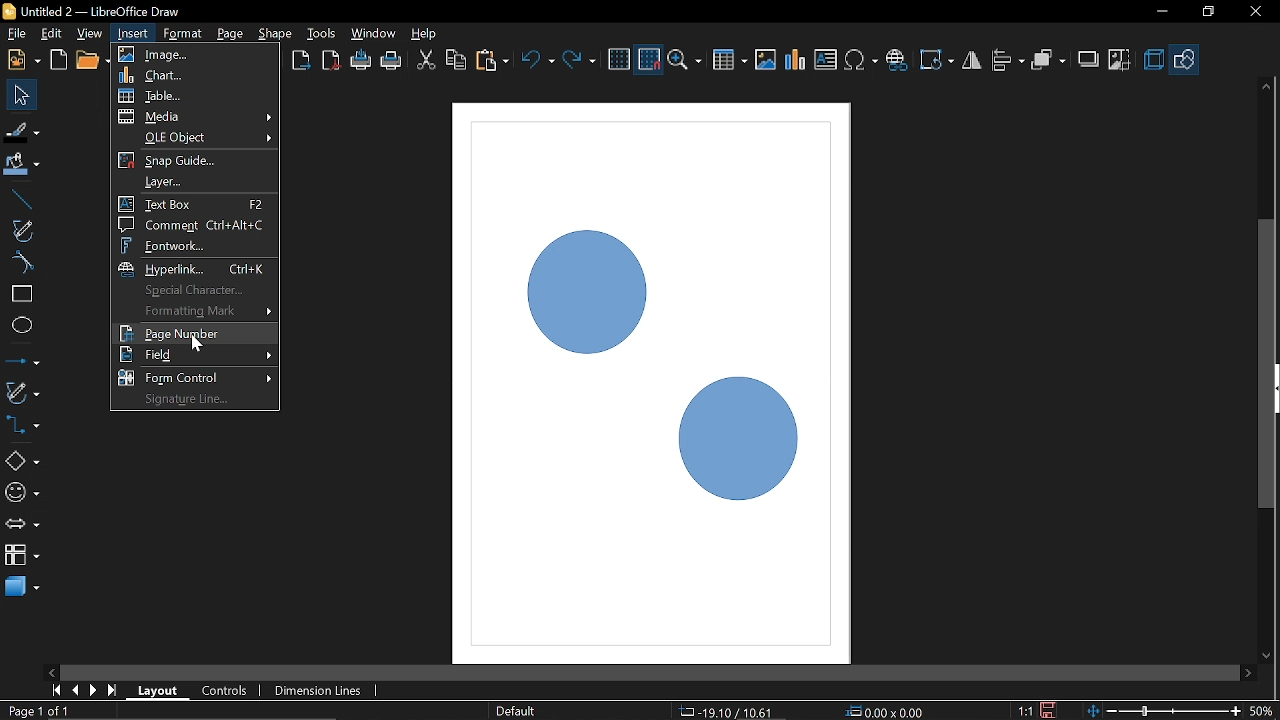 This screenshot has height=720, width=1280. Describe the element at coordinates (193, 203) in the screenshot. I see `Text box` at that location.